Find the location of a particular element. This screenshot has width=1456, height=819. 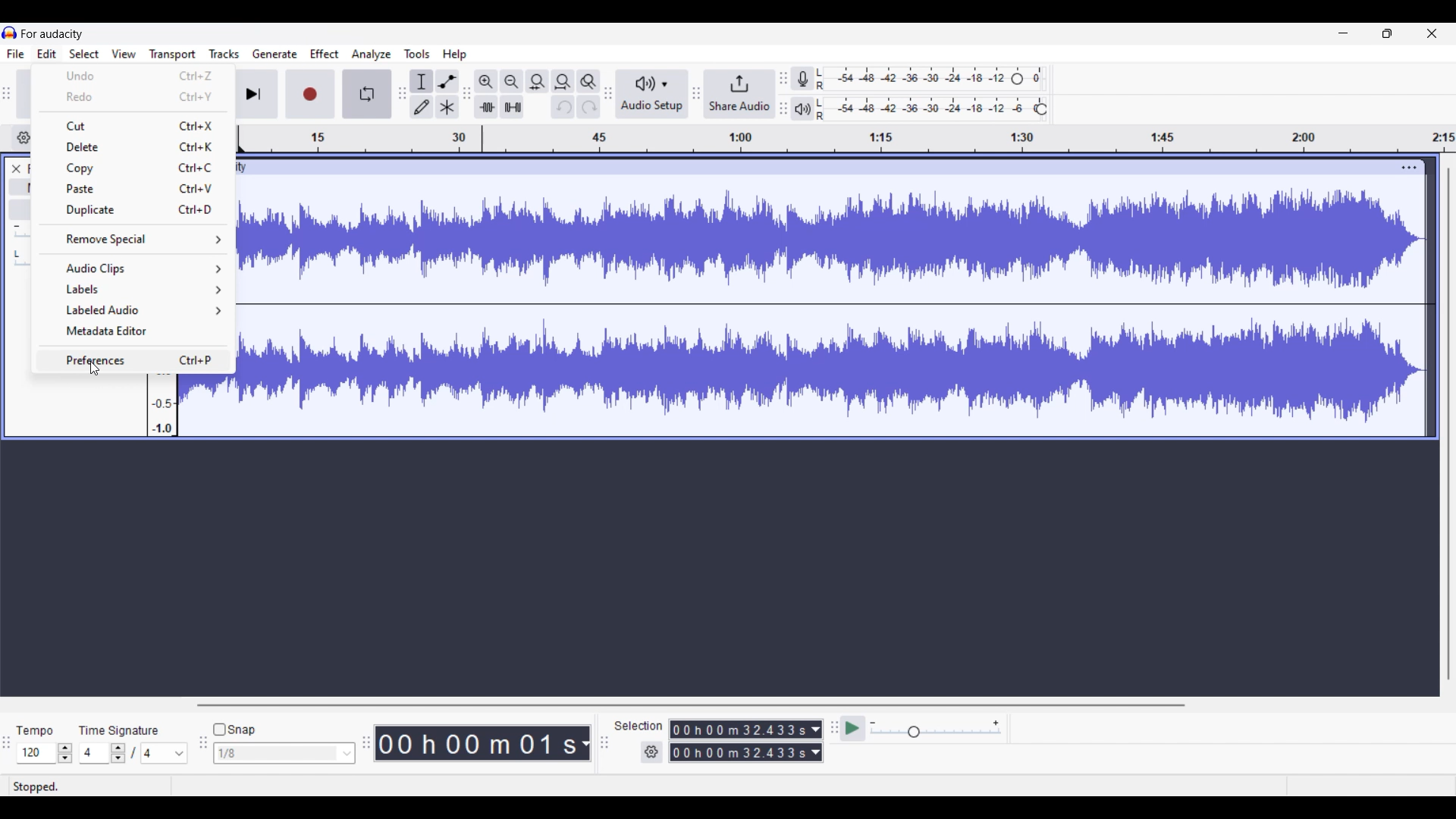

Undo is located at coordinates (133, 76).